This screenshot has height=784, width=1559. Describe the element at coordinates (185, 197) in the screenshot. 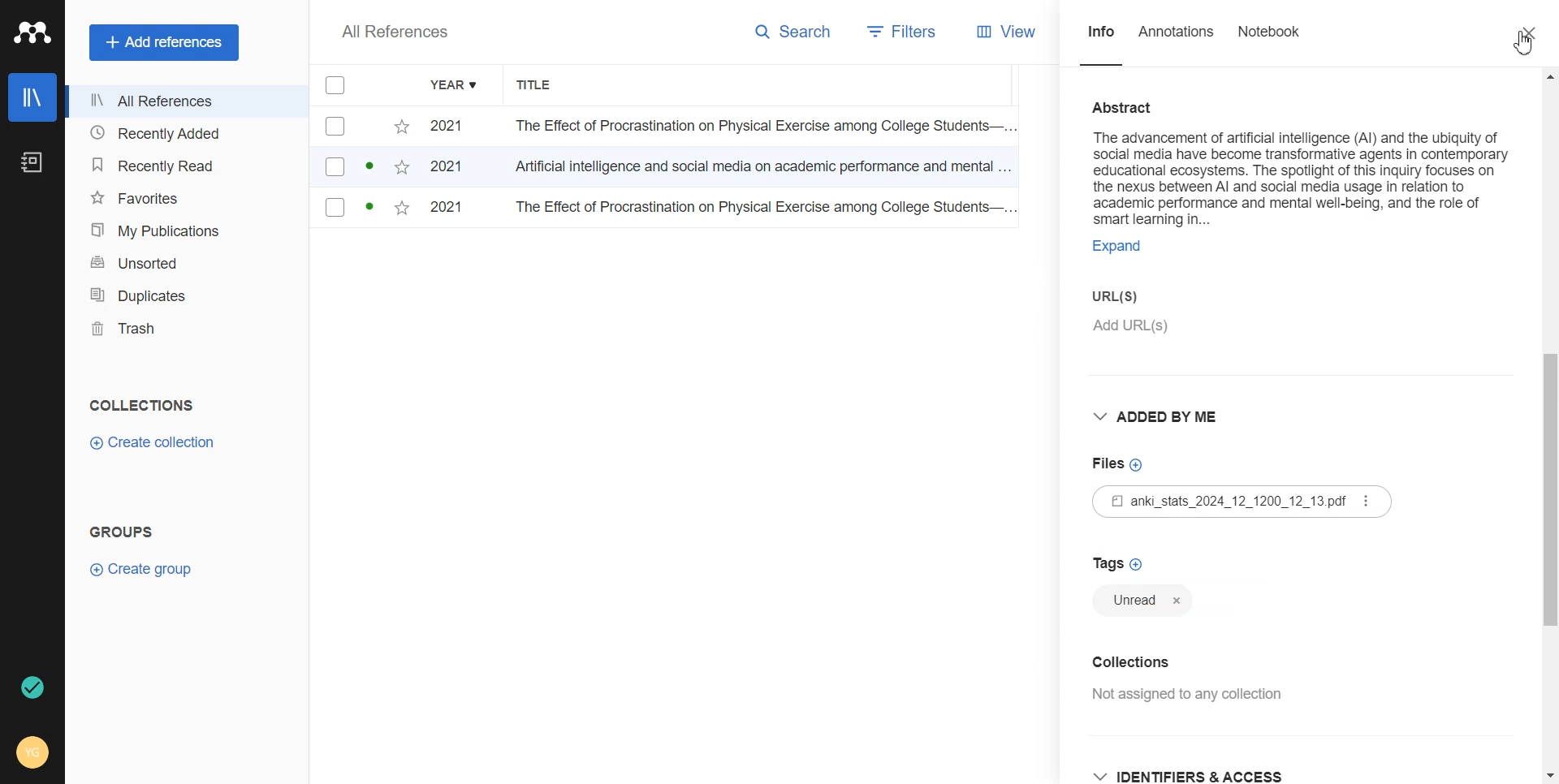

I see `Favorites` at that location.